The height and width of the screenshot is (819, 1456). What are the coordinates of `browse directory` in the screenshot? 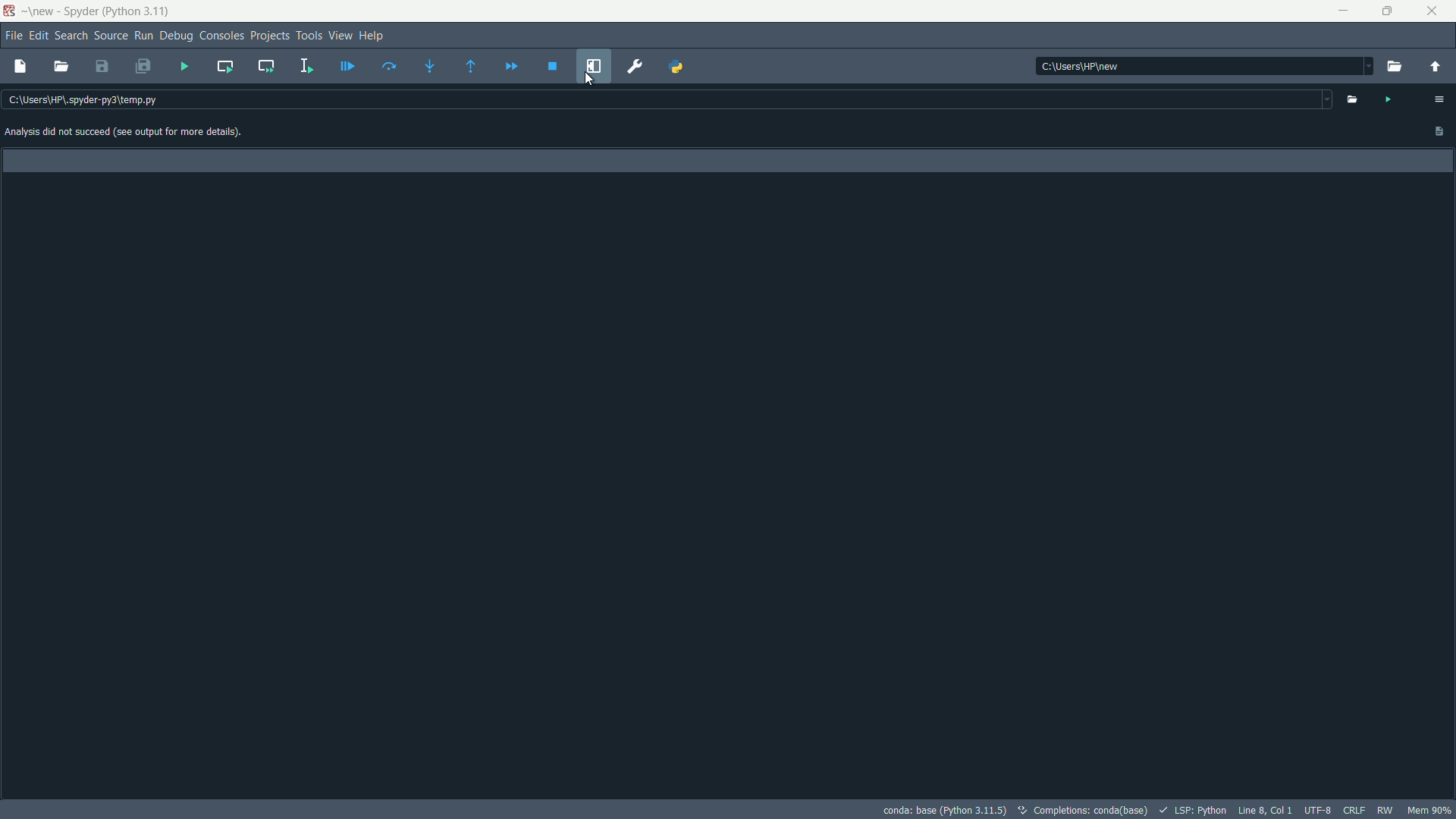 It's located at (1395, 67).